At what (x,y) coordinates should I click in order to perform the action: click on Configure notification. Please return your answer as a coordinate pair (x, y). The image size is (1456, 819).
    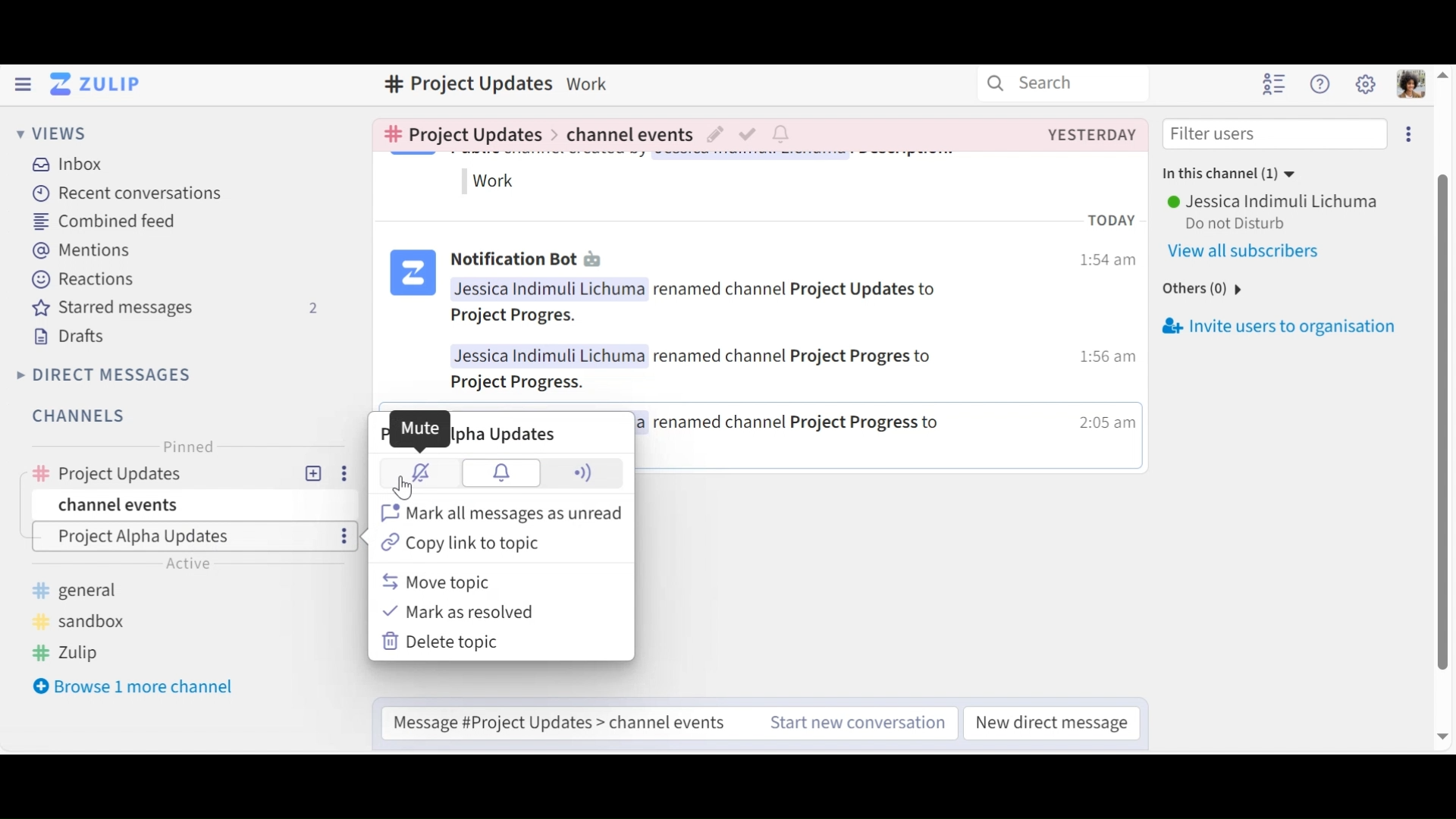
    Looking at the image, I should click on (783, 135).